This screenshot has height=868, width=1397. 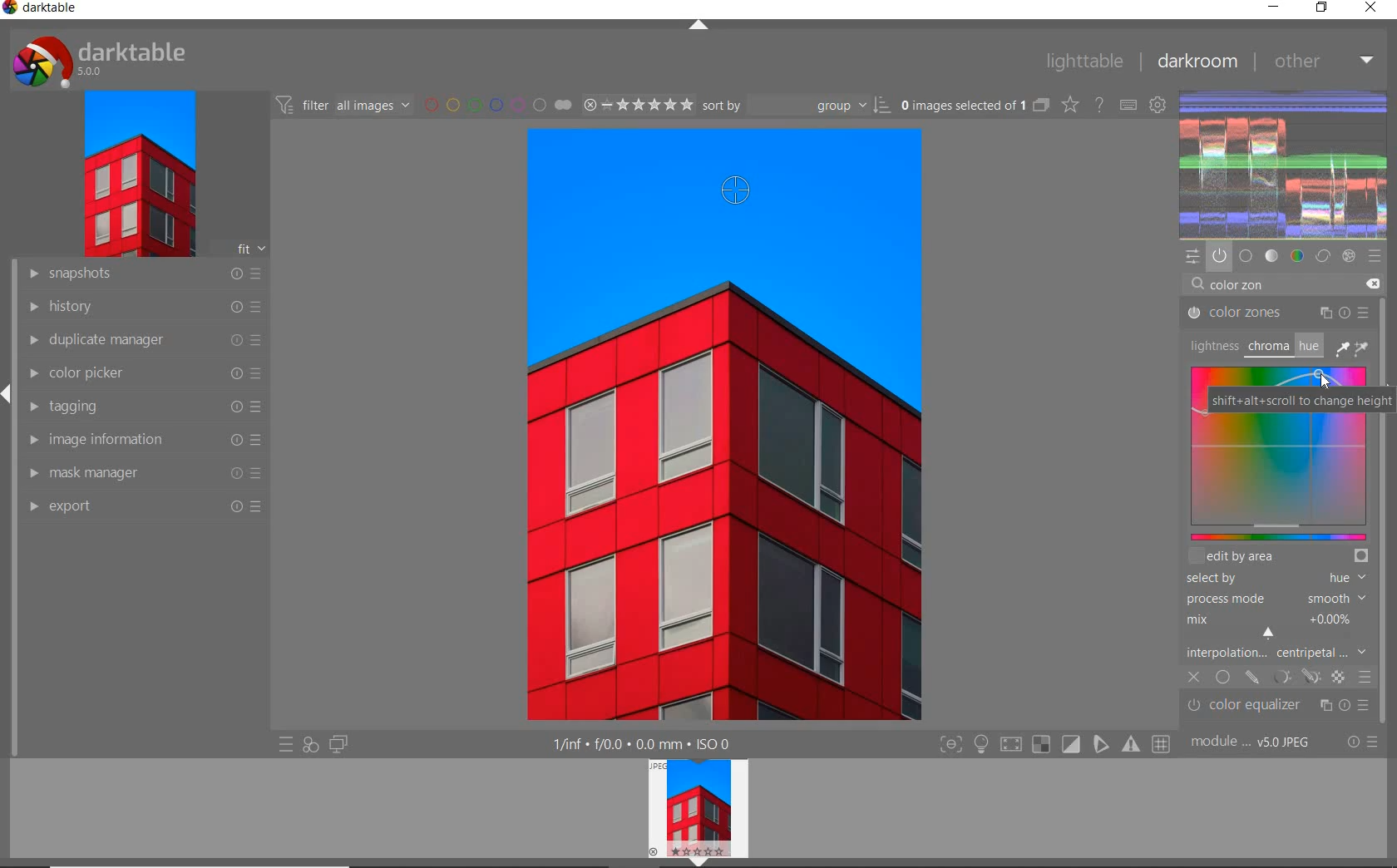 I want to click on UNIFORMLY, so click(x=1222, y=678).